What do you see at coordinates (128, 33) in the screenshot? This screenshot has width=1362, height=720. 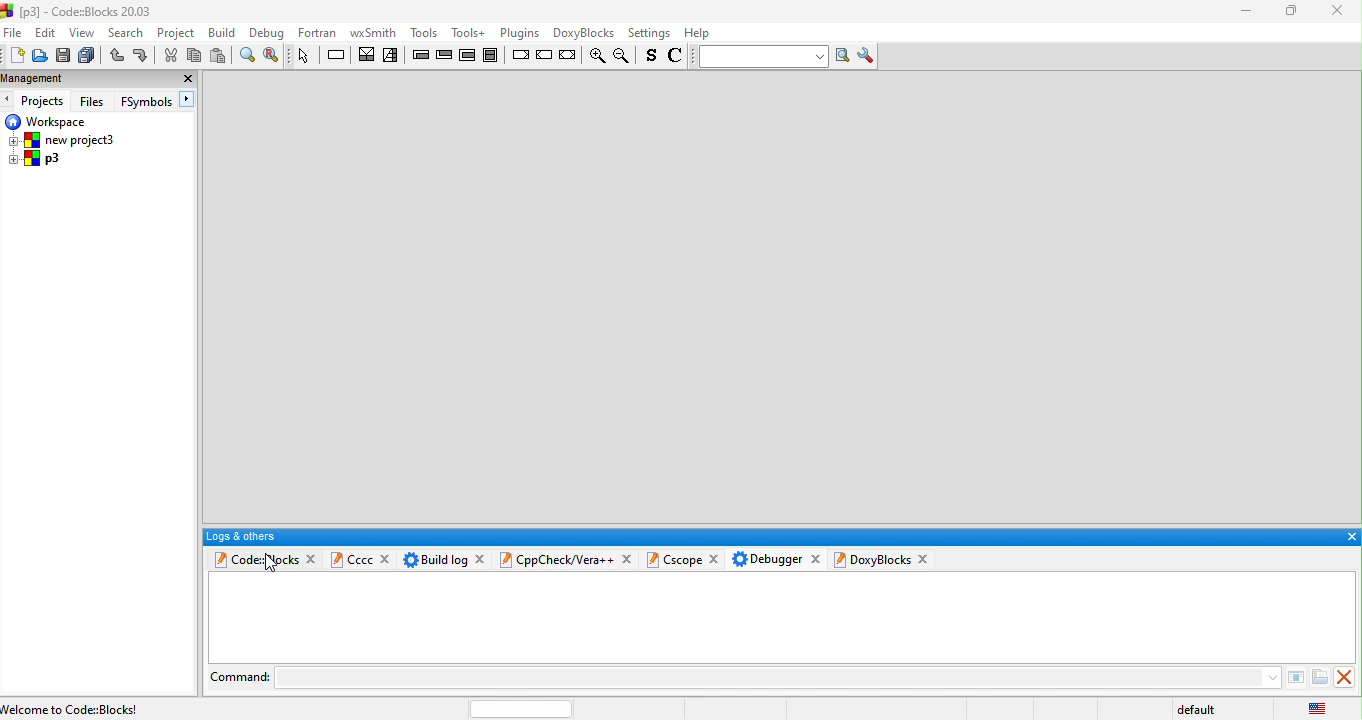 I see `search` at bounding box center [128, 33].